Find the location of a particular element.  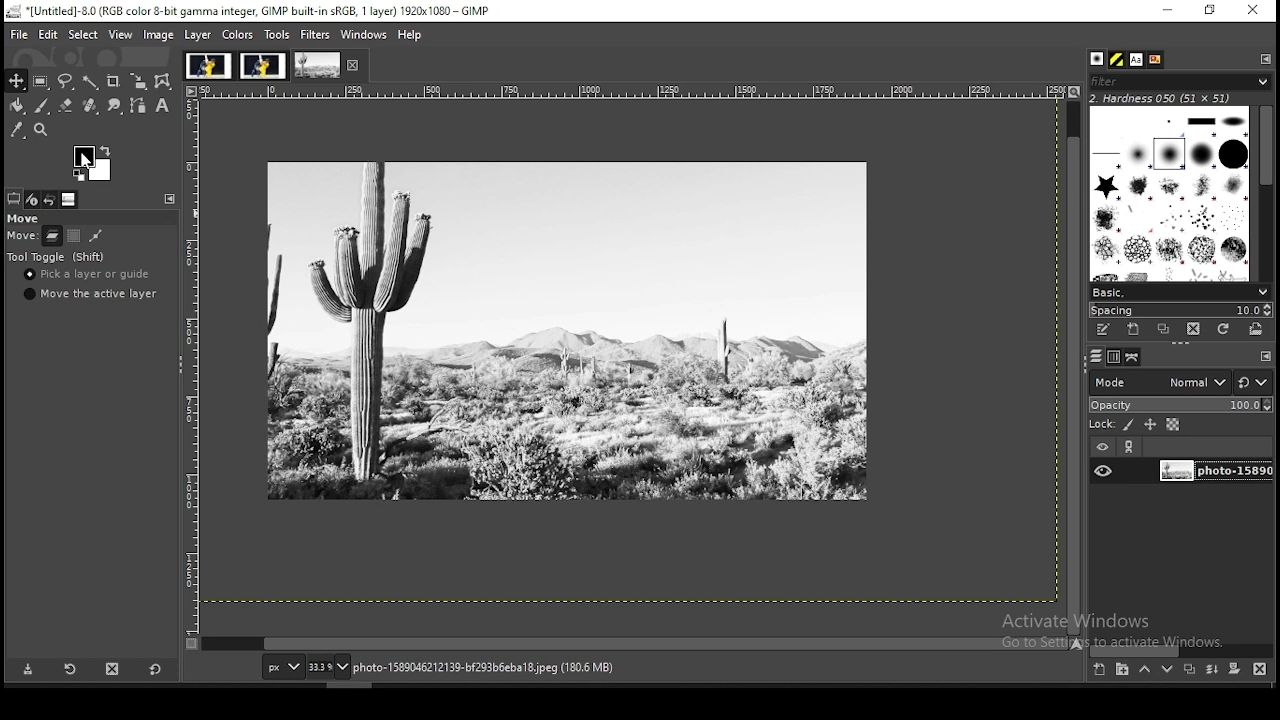

brushes is located at coordinates (1171, 193).